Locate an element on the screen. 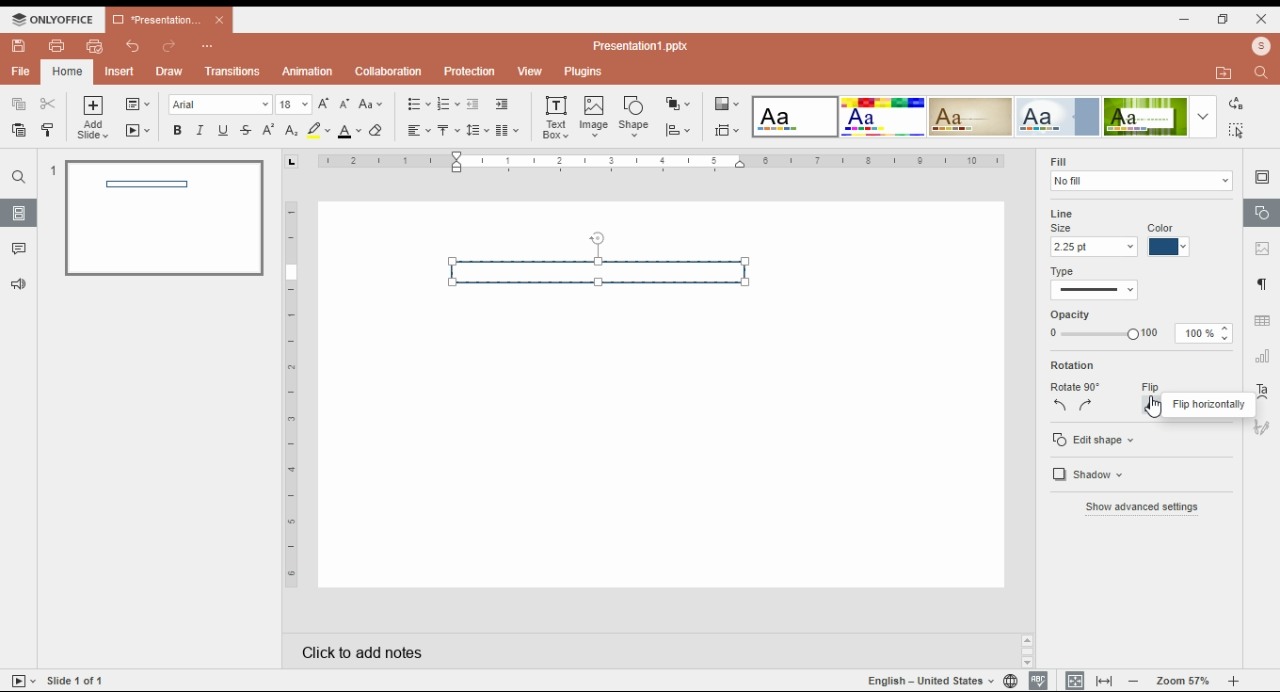  mouse pointer is located at coordinates (1152, 404).